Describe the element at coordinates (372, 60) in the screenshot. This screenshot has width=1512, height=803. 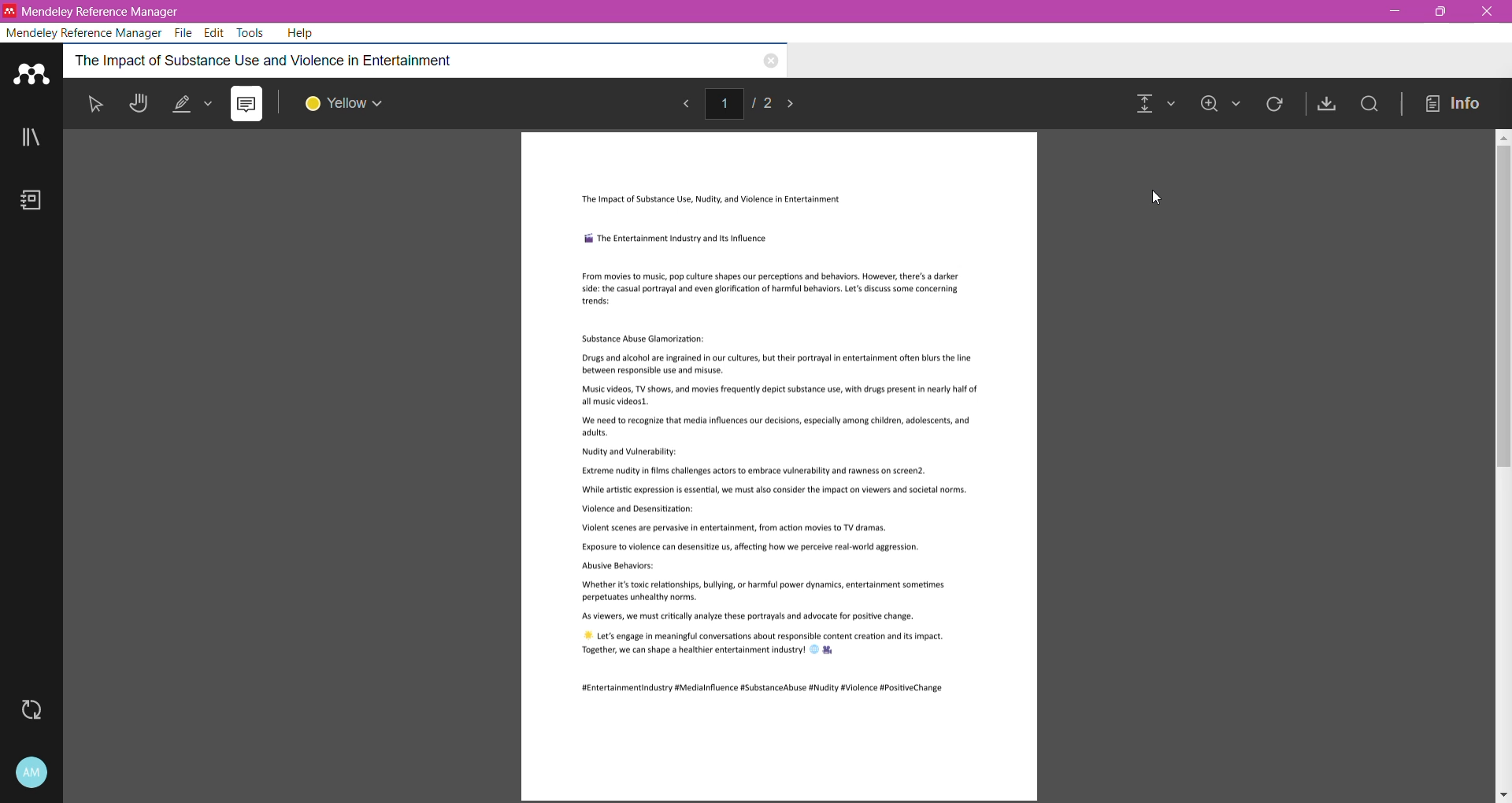
I see `Reference Item Title` at that location.